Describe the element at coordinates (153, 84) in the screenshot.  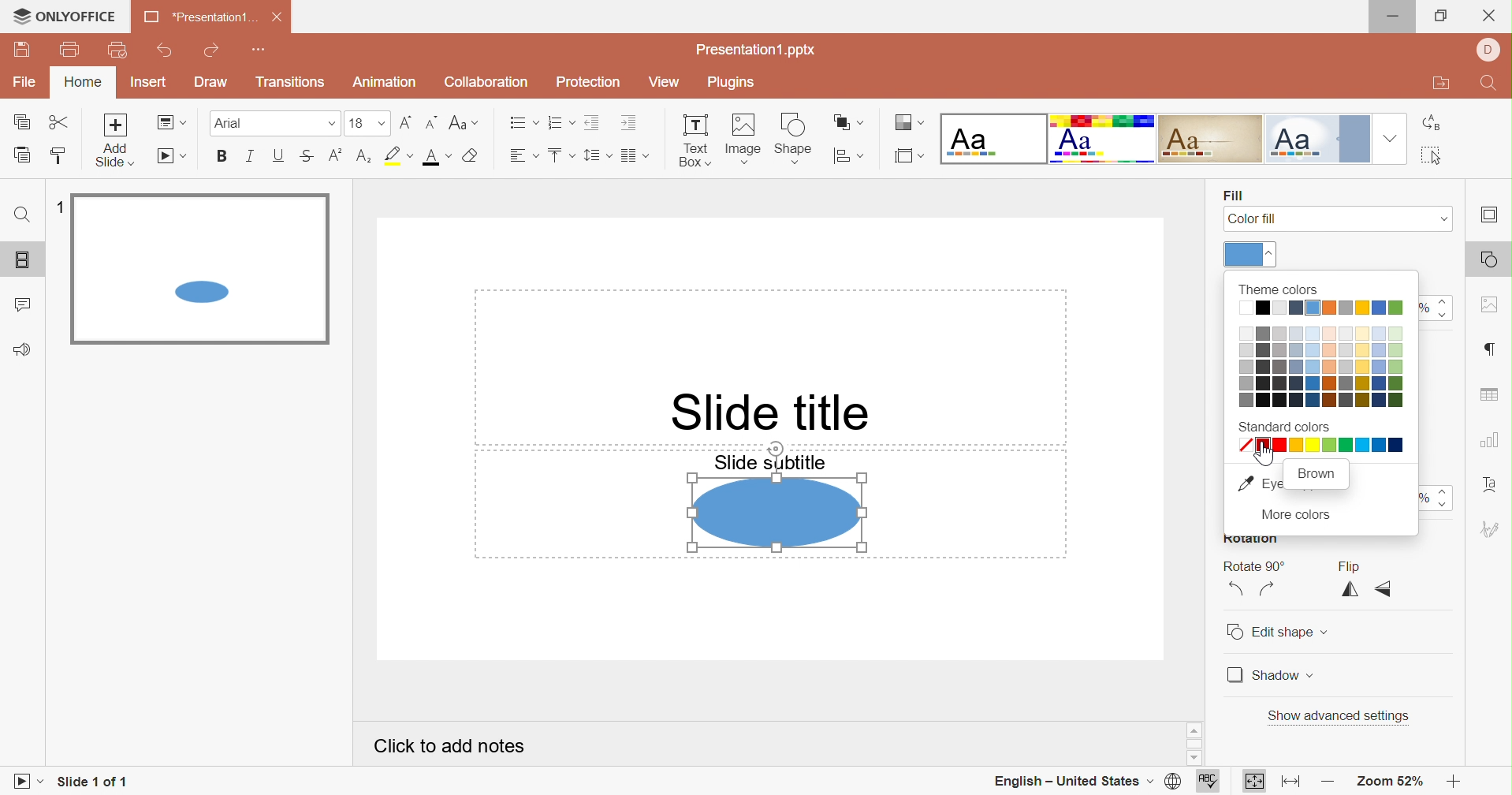
I see `Insert` at that location.